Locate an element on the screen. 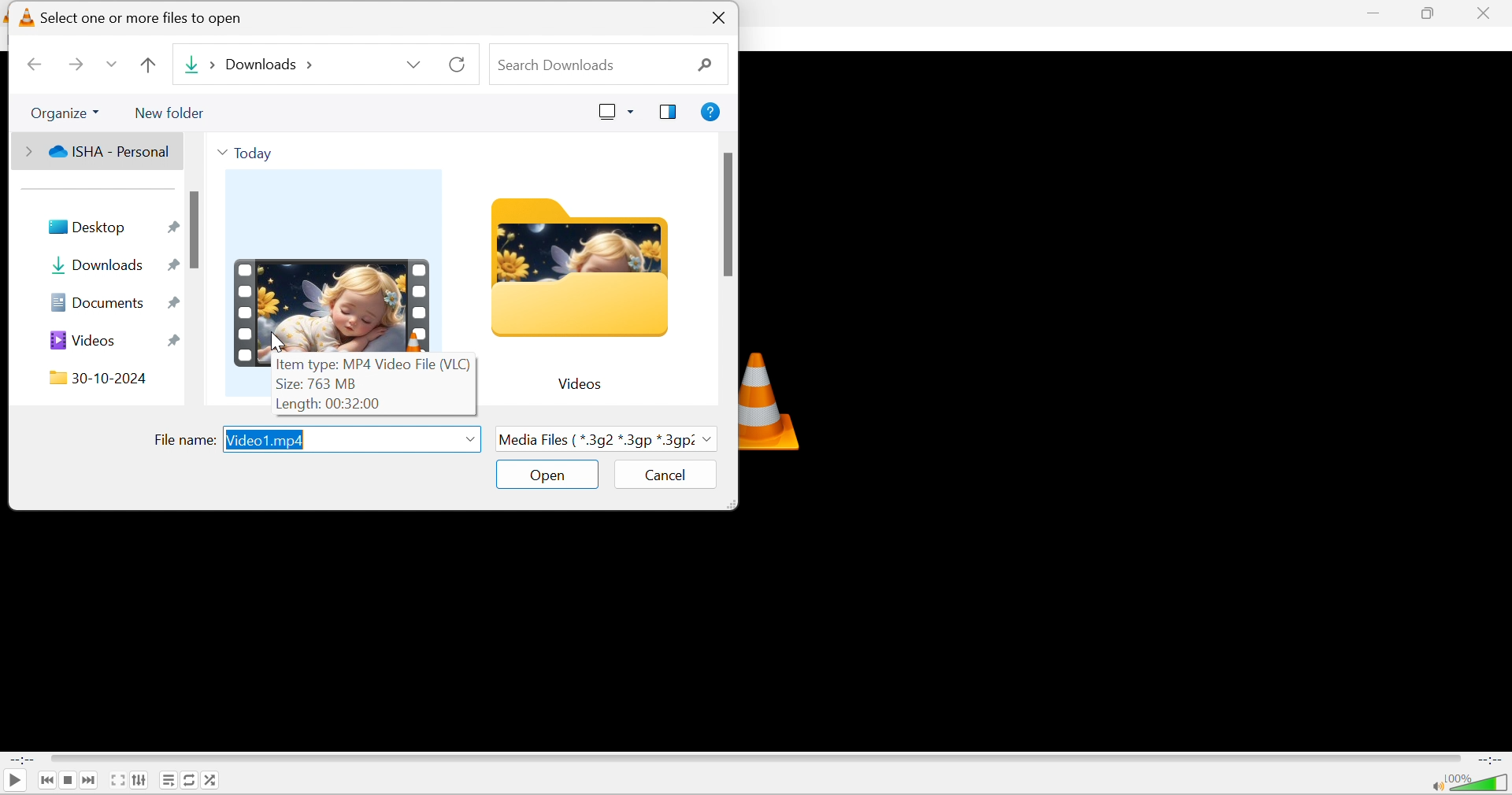  Show the preview pane is located at coordinates (665, 113).